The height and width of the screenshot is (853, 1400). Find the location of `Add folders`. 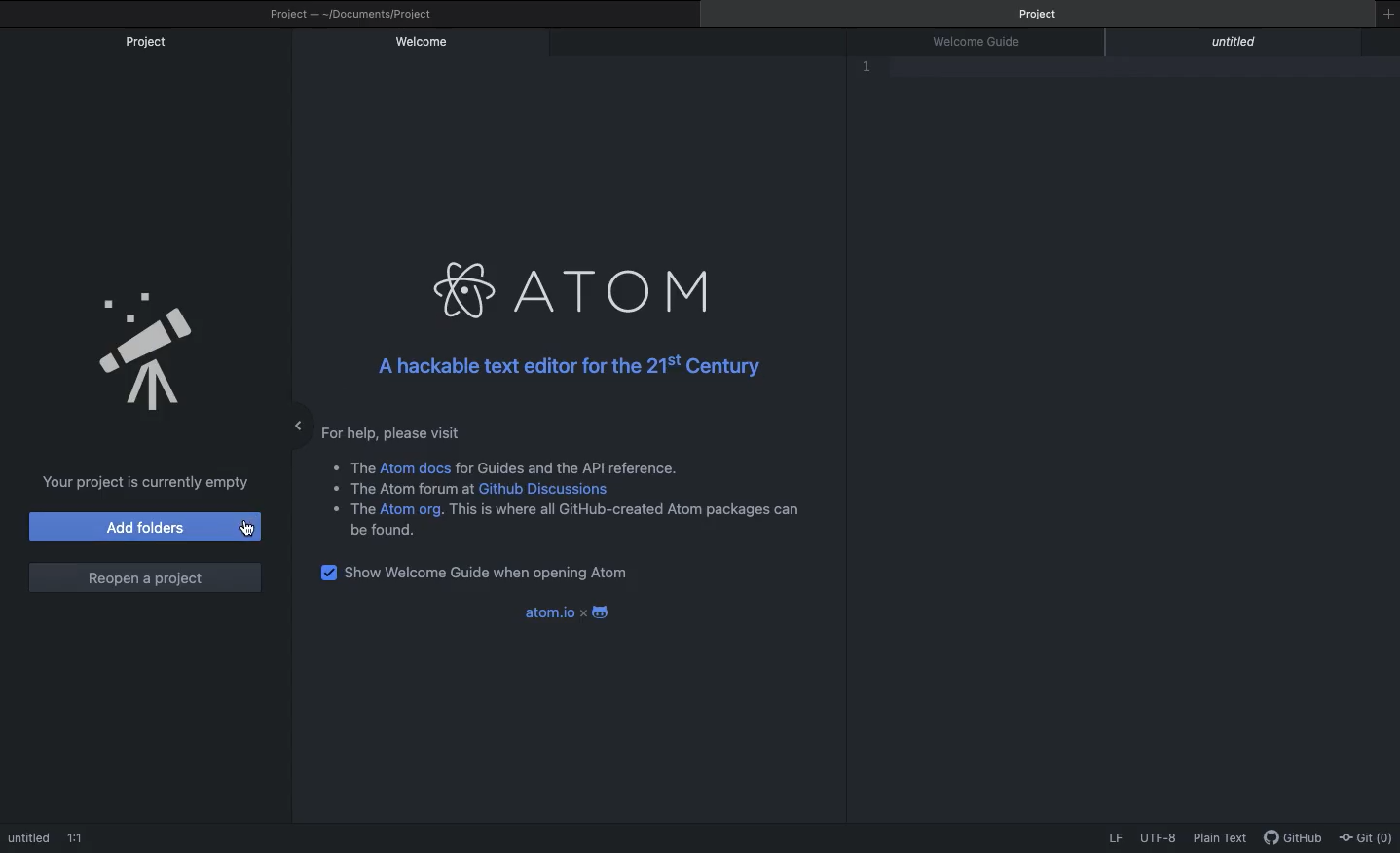

Add folders is located at coordinates (145, 527).